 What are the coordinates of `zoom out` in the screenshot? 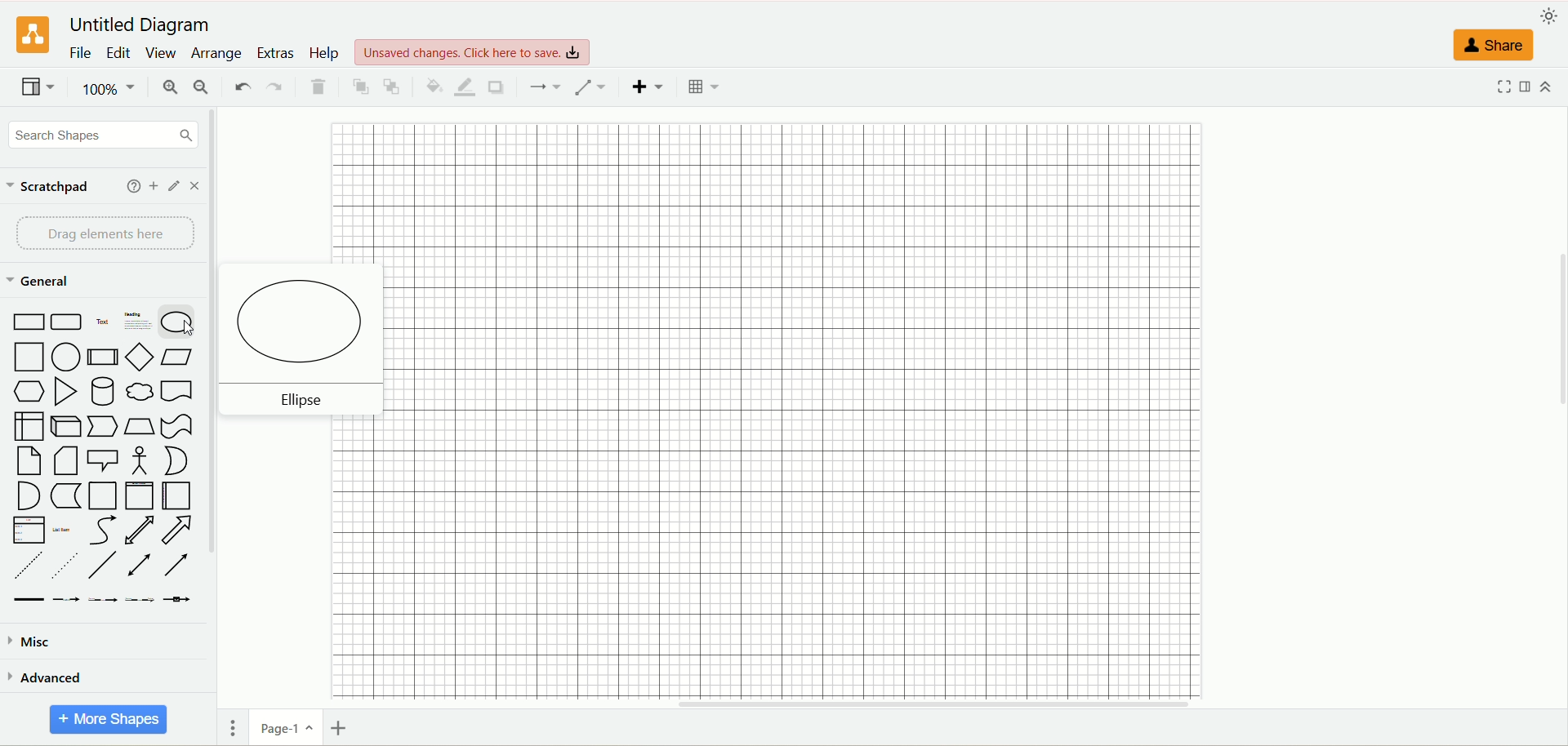 It's located at (200, 87).